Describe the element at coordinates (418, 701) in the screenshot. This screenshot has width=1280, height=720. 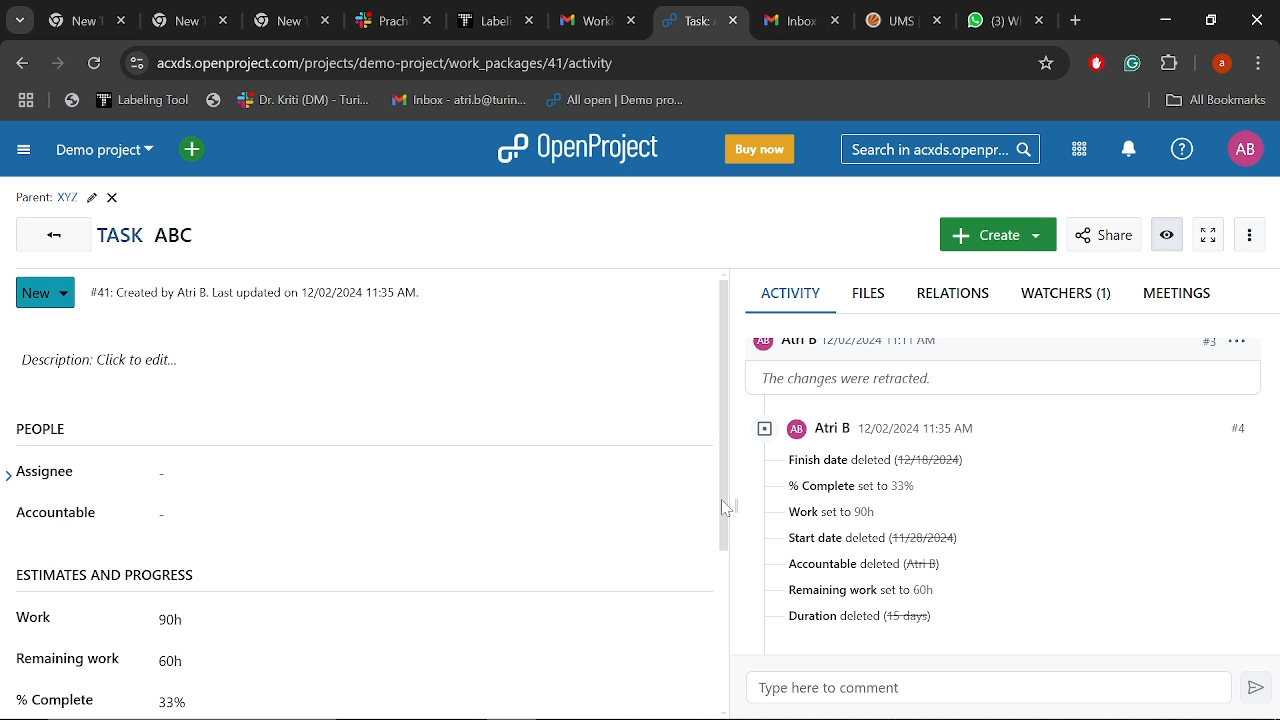
I see `Completed work` at that location.